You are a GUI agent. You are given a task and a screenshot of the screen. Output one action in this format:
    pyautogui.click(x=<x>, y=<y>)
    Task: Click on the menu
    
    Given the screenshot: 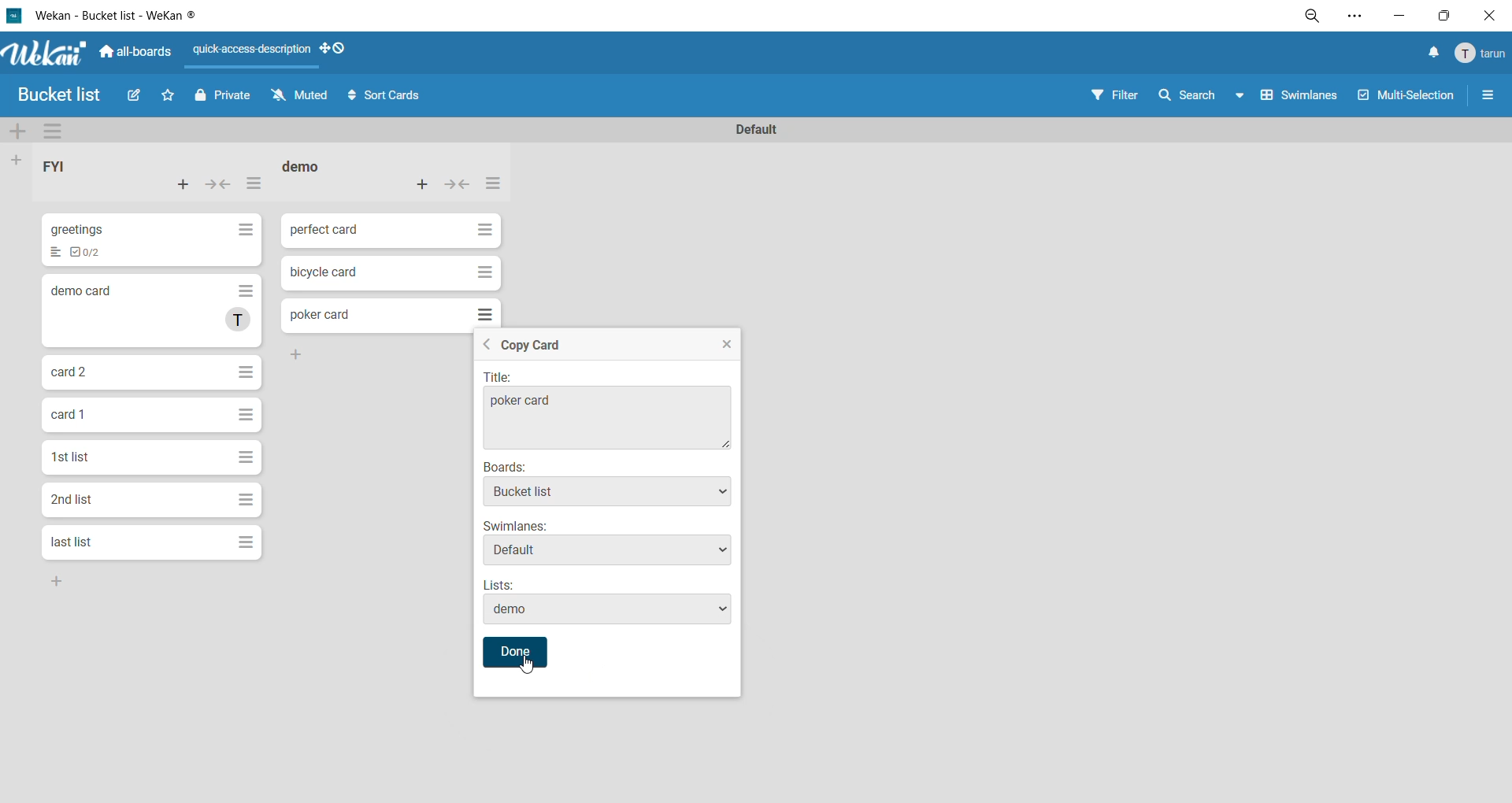 What is the action you would take?
    pyautogui.click(x=1477, y=54)
    